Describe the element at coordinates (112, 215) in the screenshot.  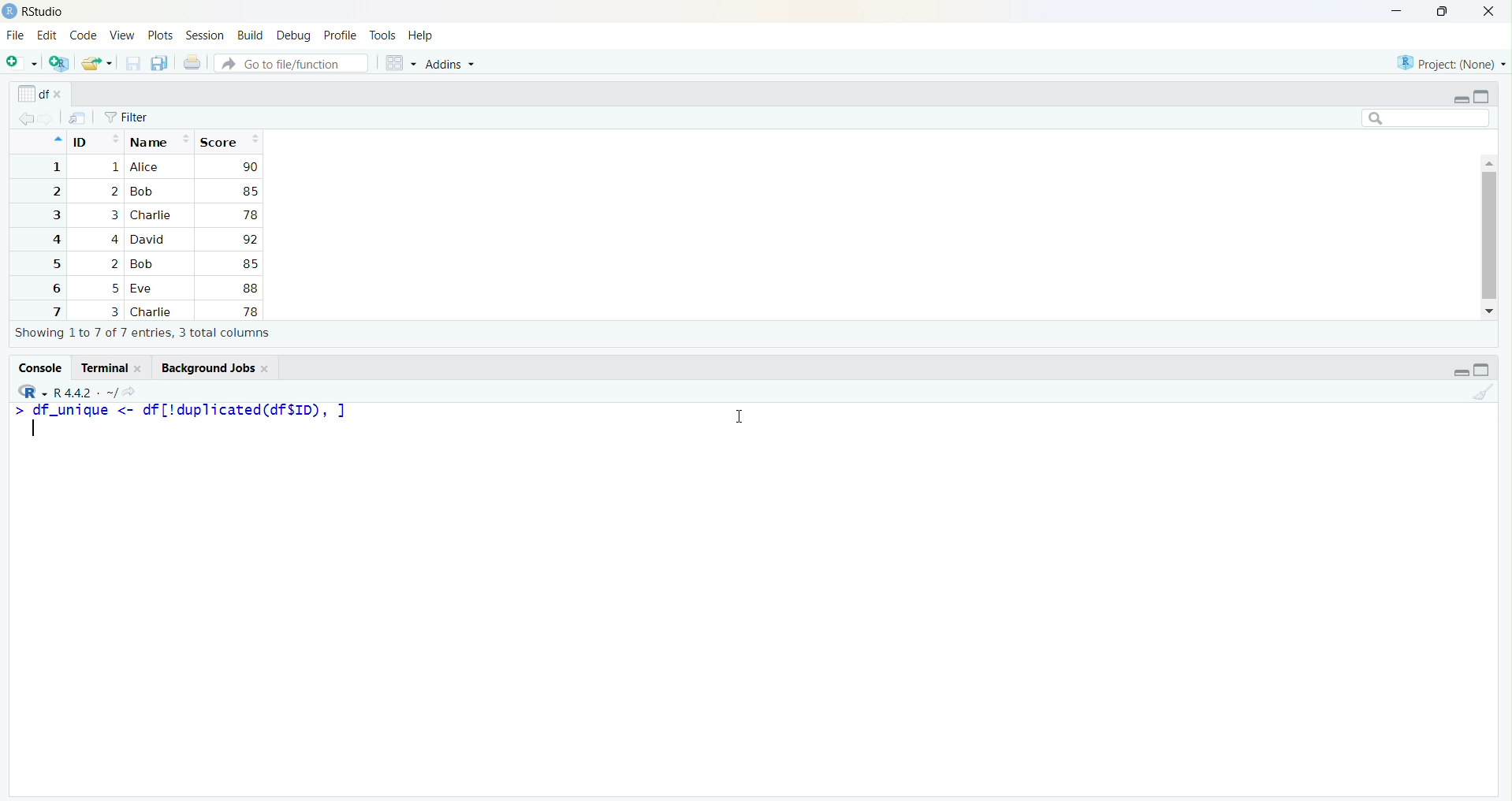
I see `3` at that location.